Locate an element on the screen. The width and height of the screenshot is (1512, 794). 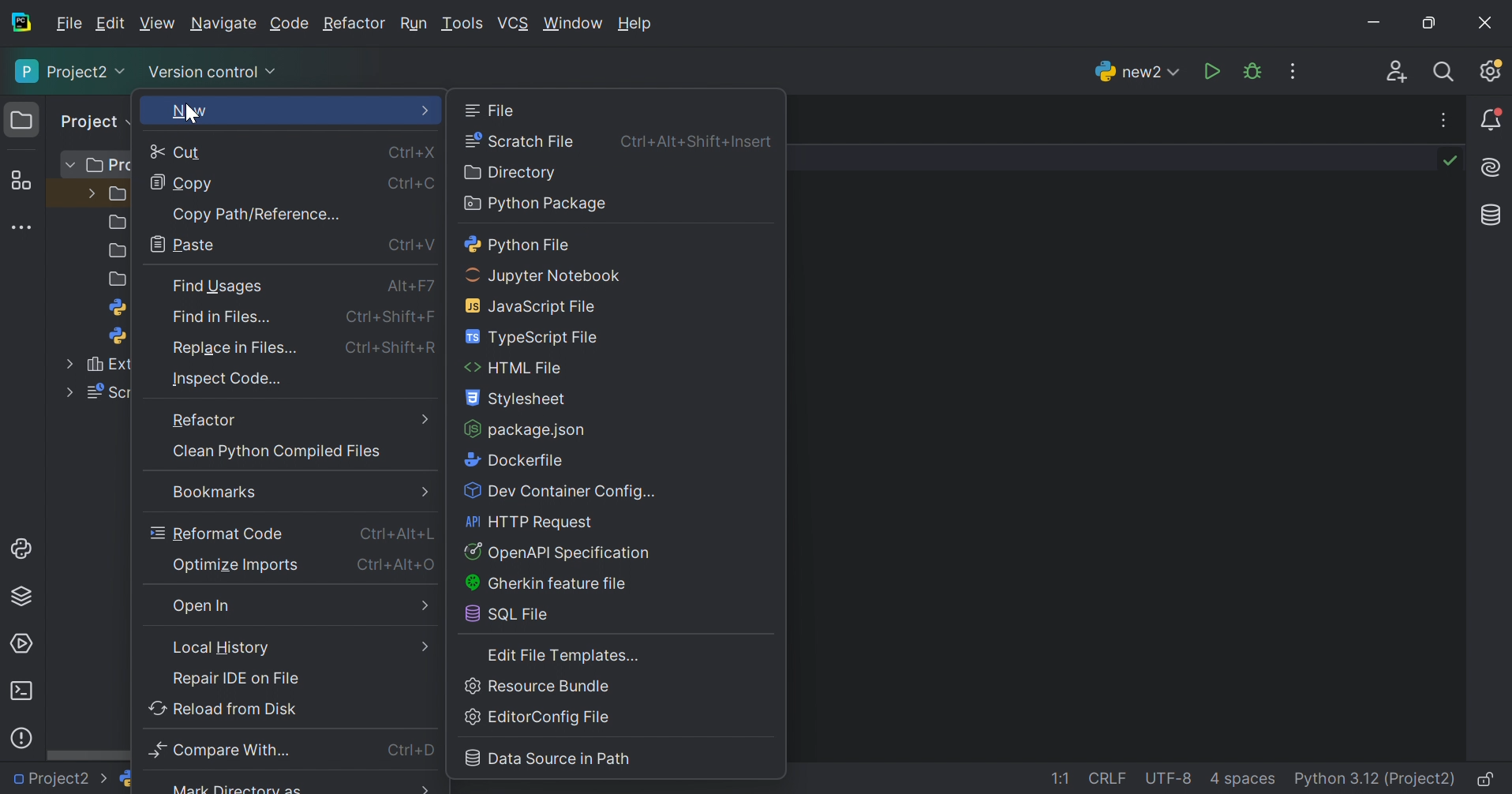
Python console is located at coordinates (23, 549).